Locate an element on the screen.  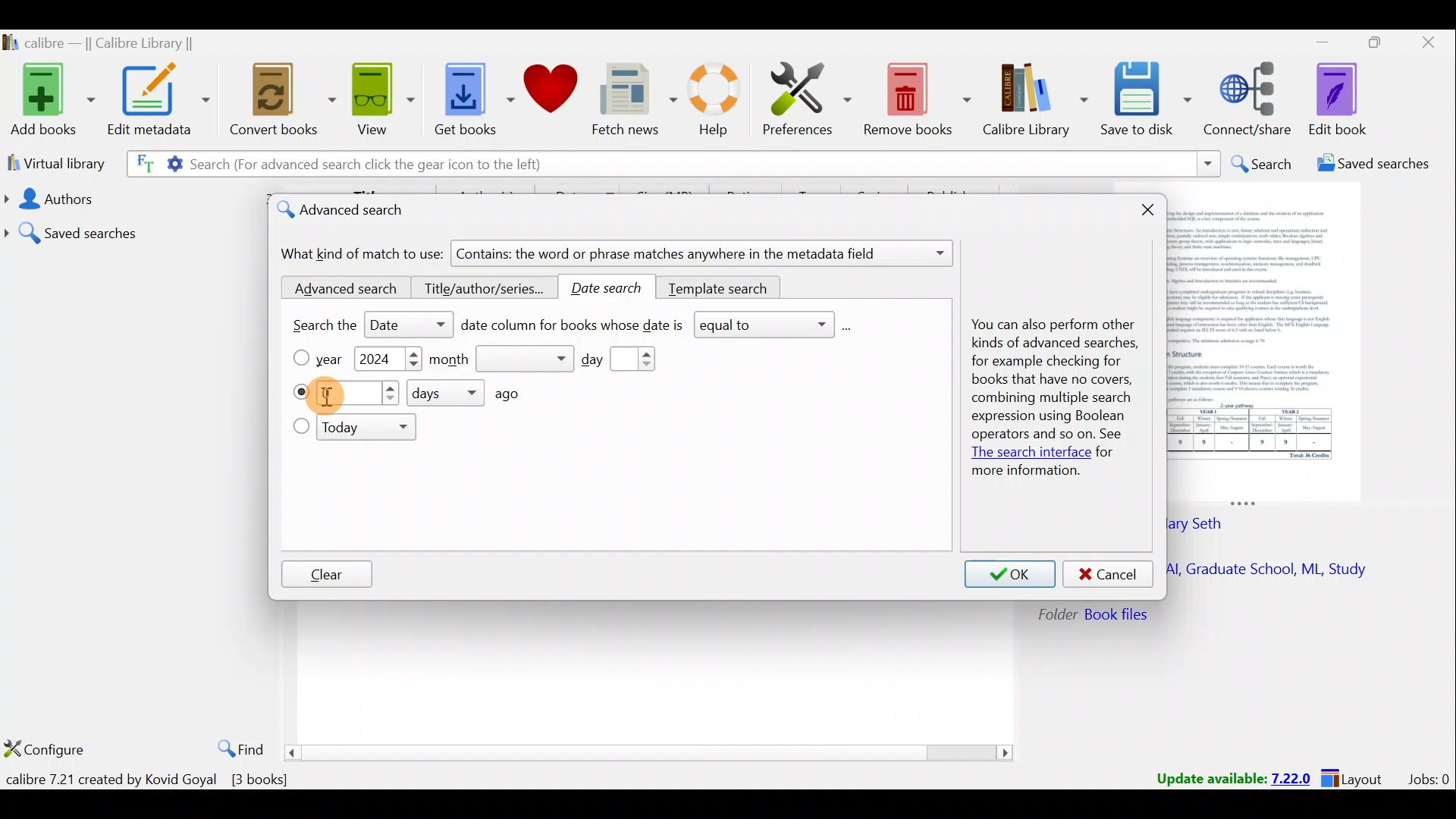
Day is located at coordinates (629, 359).